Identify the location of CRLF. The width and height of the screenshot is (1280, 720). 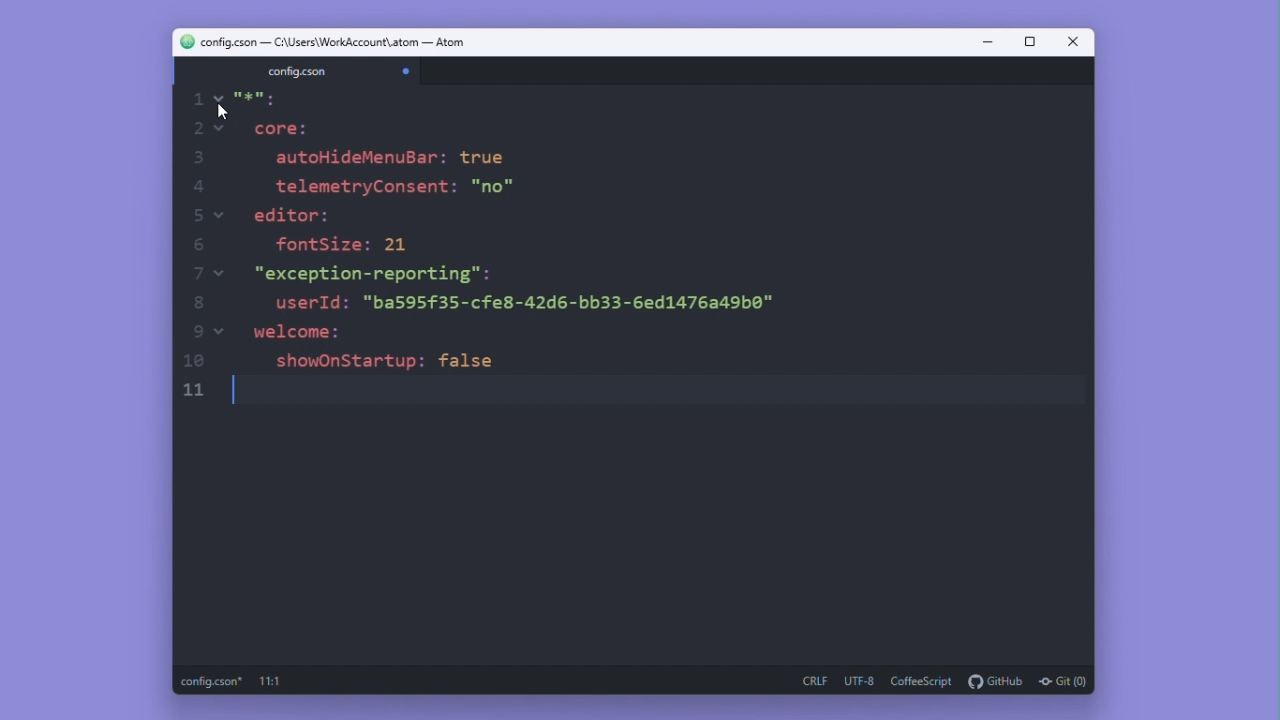
(815, 682).